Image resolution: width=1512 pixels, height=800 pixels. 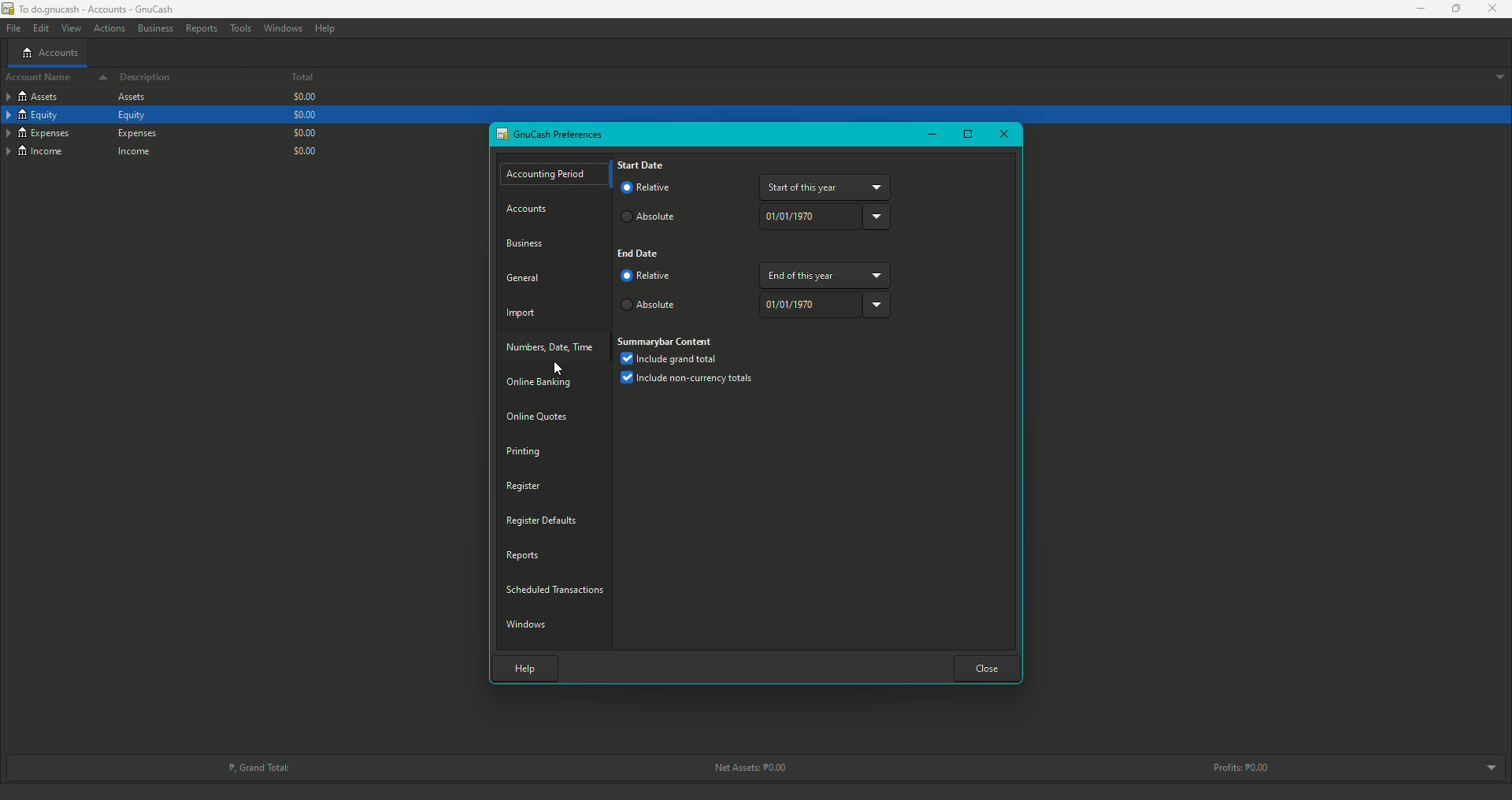 I want to click on $0, so click(x=302, y=98).